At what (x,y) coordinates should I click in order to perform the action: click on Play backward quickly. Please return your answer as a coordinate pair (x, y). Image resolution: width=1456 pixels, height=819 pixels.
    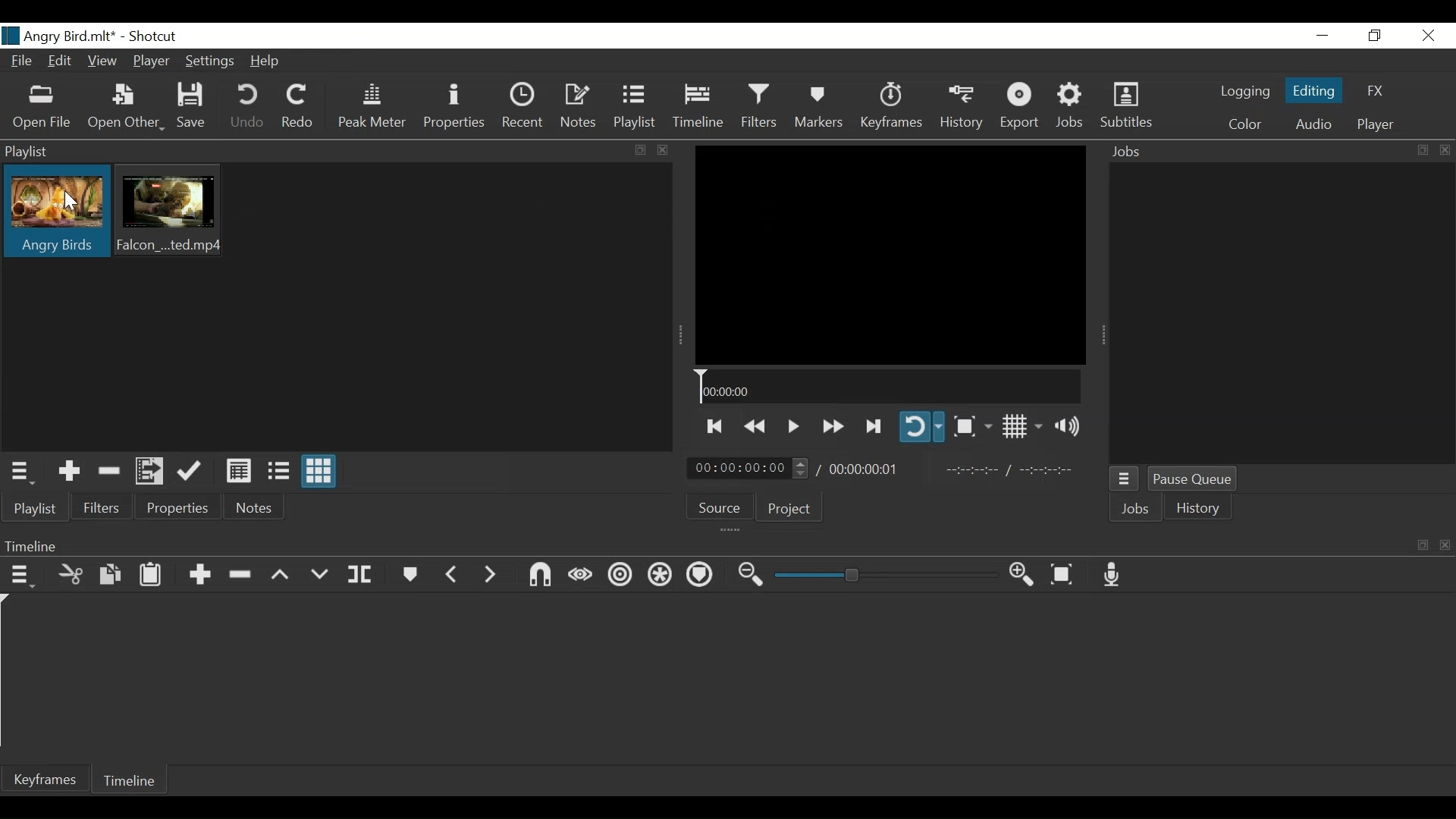
    Looking at the image, I should click on (757, 424).